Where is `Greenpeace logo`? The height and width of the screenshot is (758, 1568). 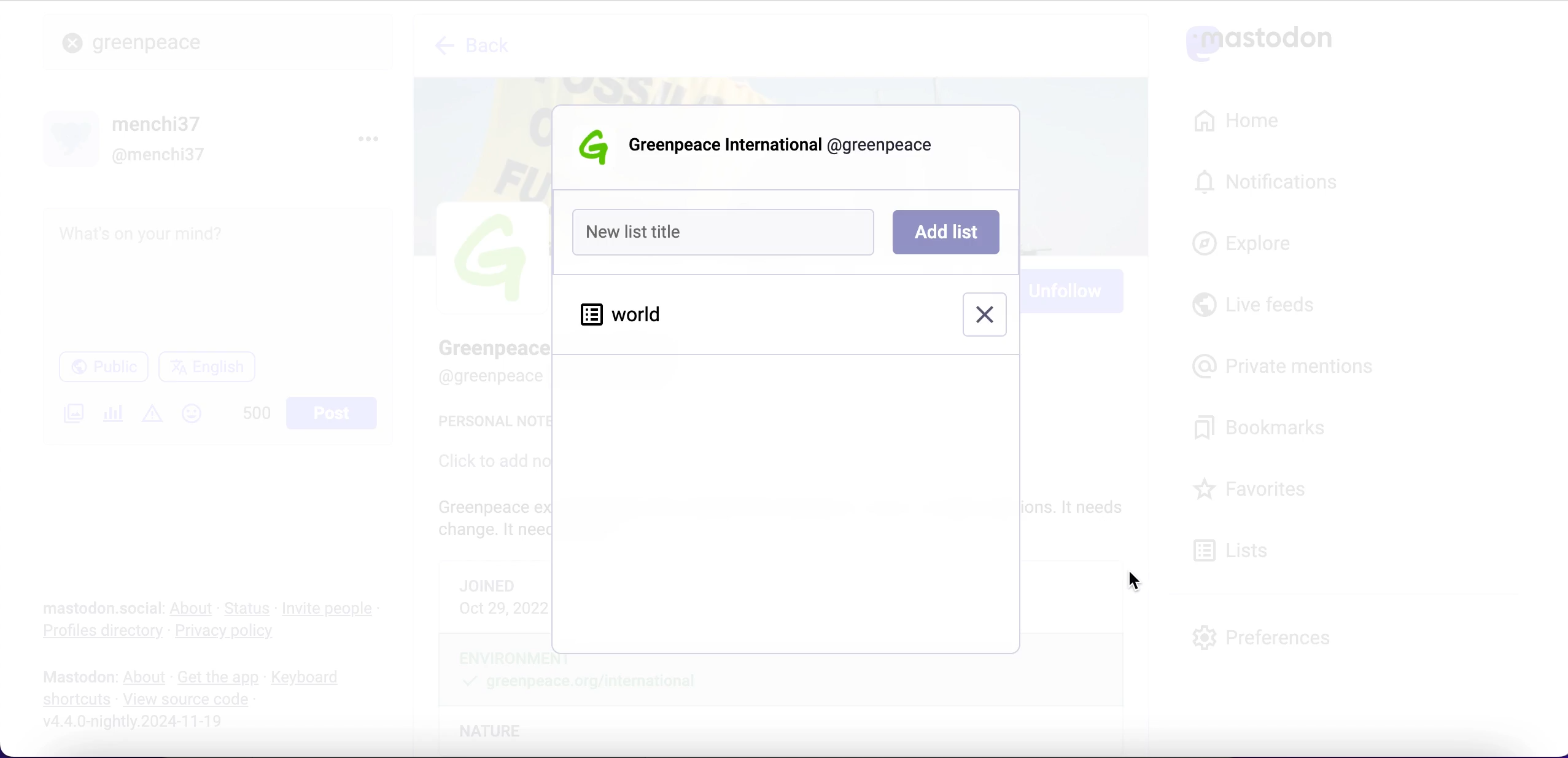 Greenpeace logo is located at coordinates (597, 147).